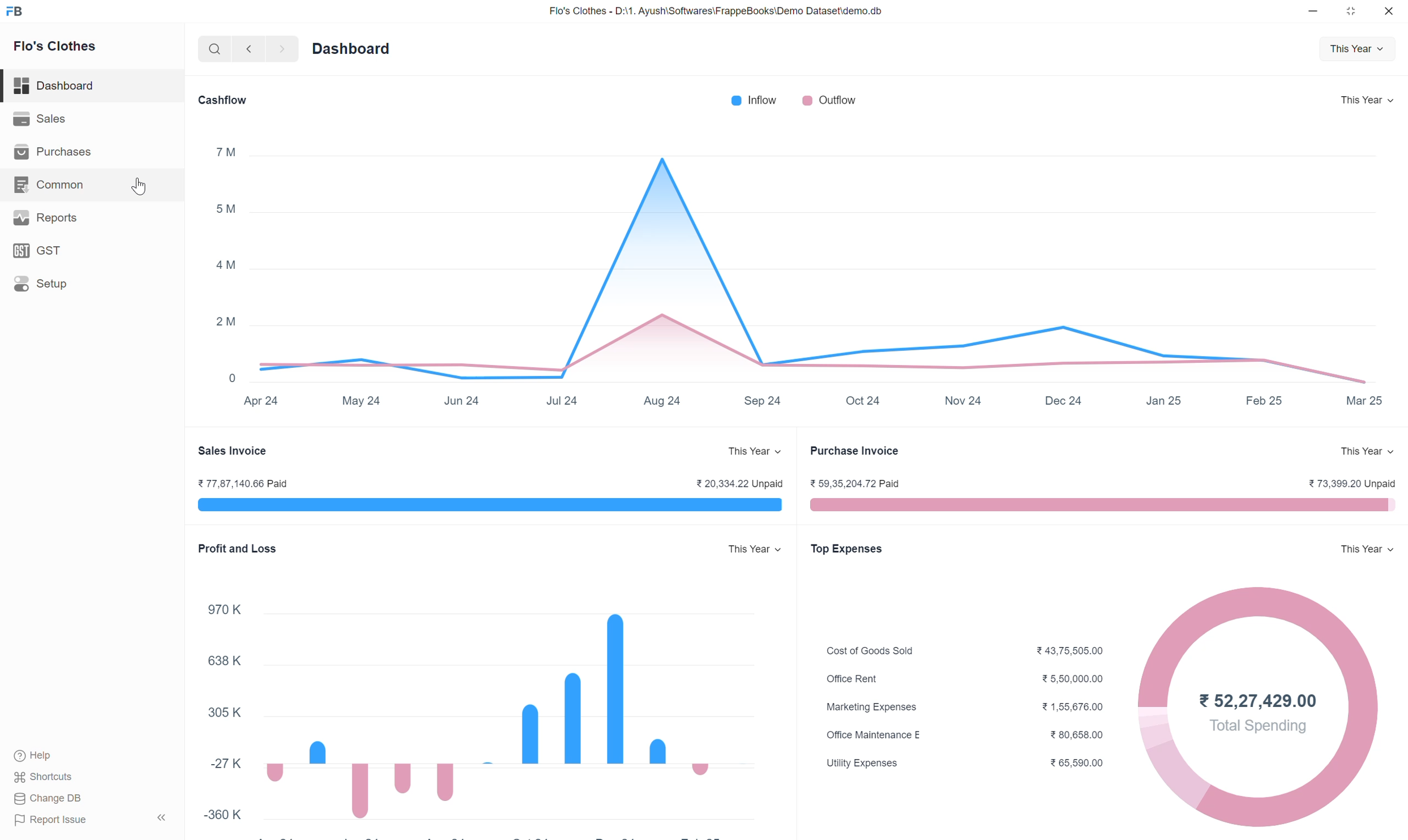 Image resolution: width=1408 pixels, height=840 pixels. I want to click on sales invoice graph, so click(491, 495).